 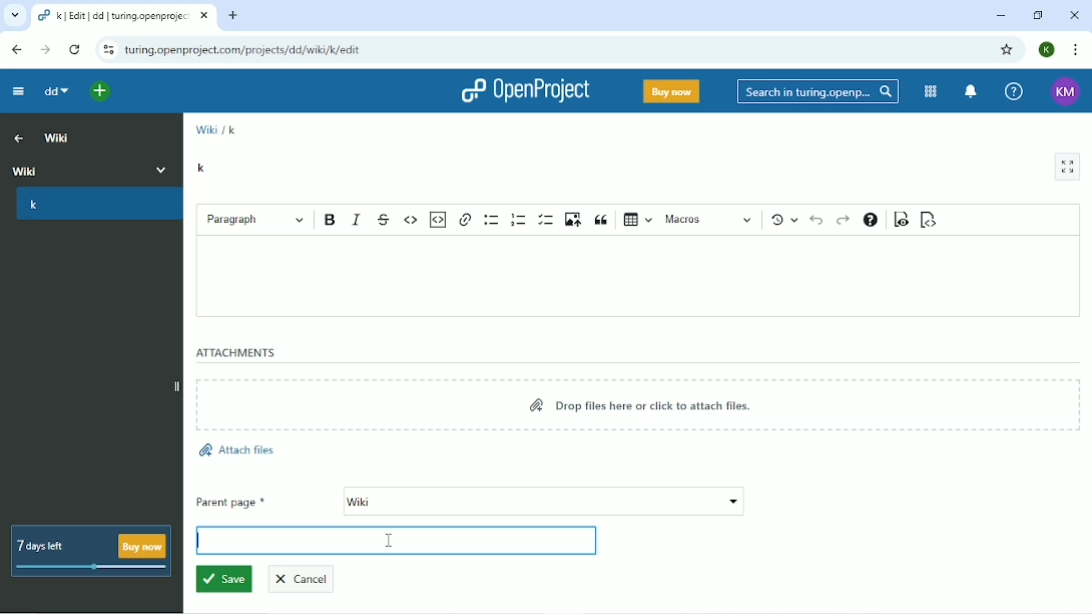 What do you see at coordinates (93, 551) in the screenshot?
I see `7 days left ` at bounding box center [93, 551].